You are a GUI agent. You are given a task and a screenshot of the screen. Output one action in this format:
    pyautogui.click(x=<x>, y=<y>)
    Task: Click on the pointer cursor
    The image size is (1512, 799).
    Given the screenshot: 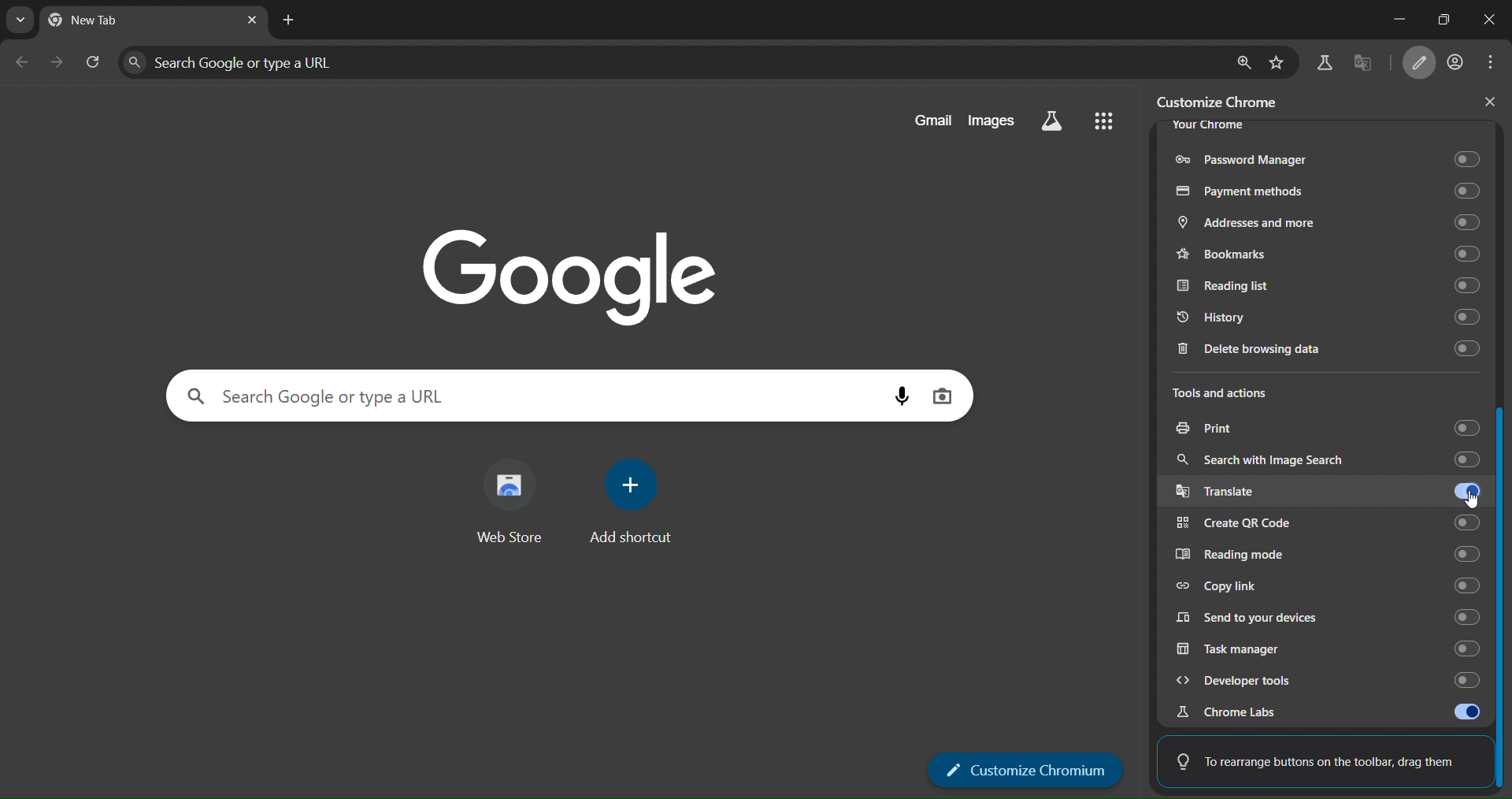 What is the action you would take?
    pyautogui.click(x=1469, y=500)
    